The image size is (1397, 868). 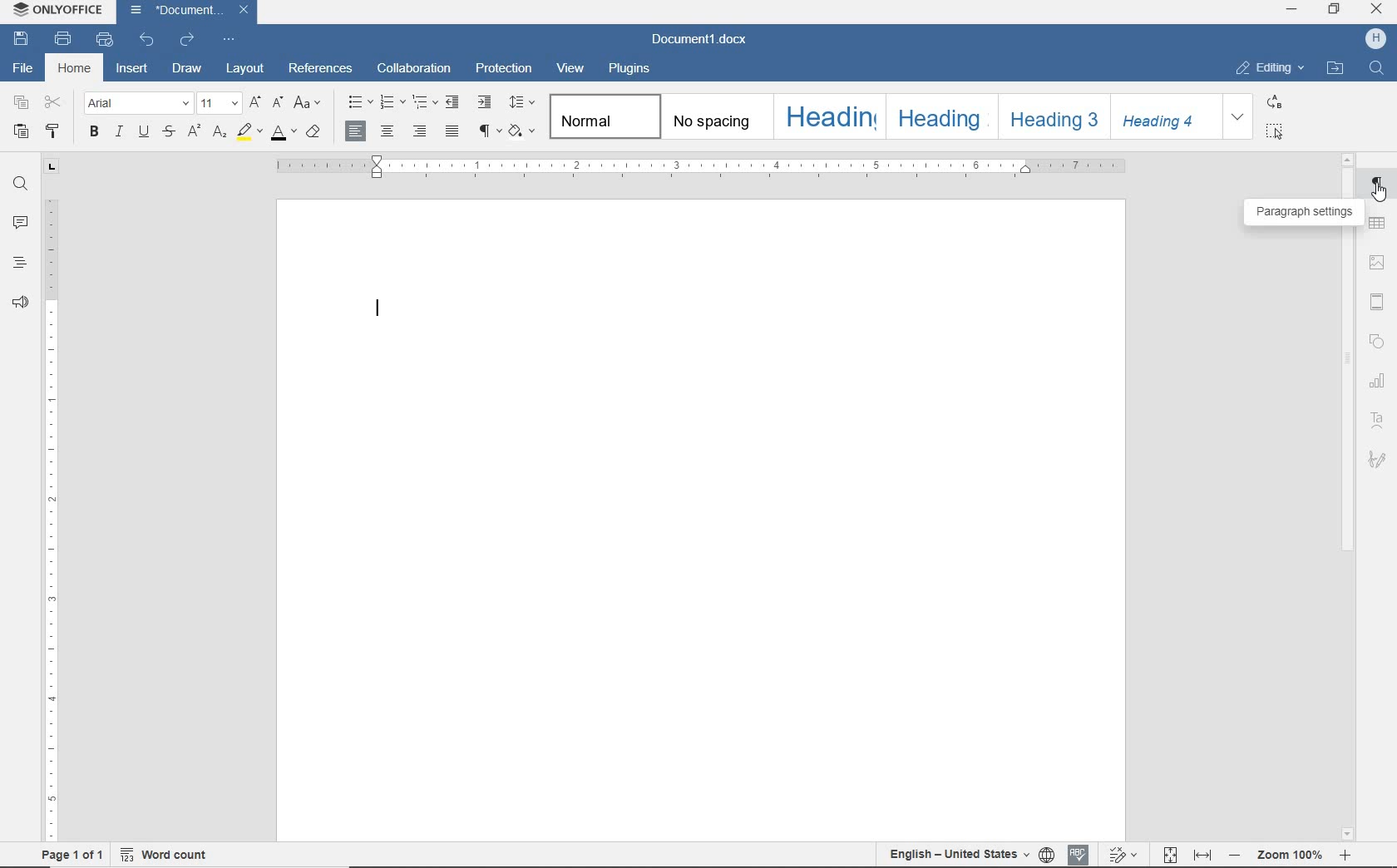 What do you see at coordinates (1237, 116) in the screenshot?
I see `expand` at bounding box center [1237, 116].